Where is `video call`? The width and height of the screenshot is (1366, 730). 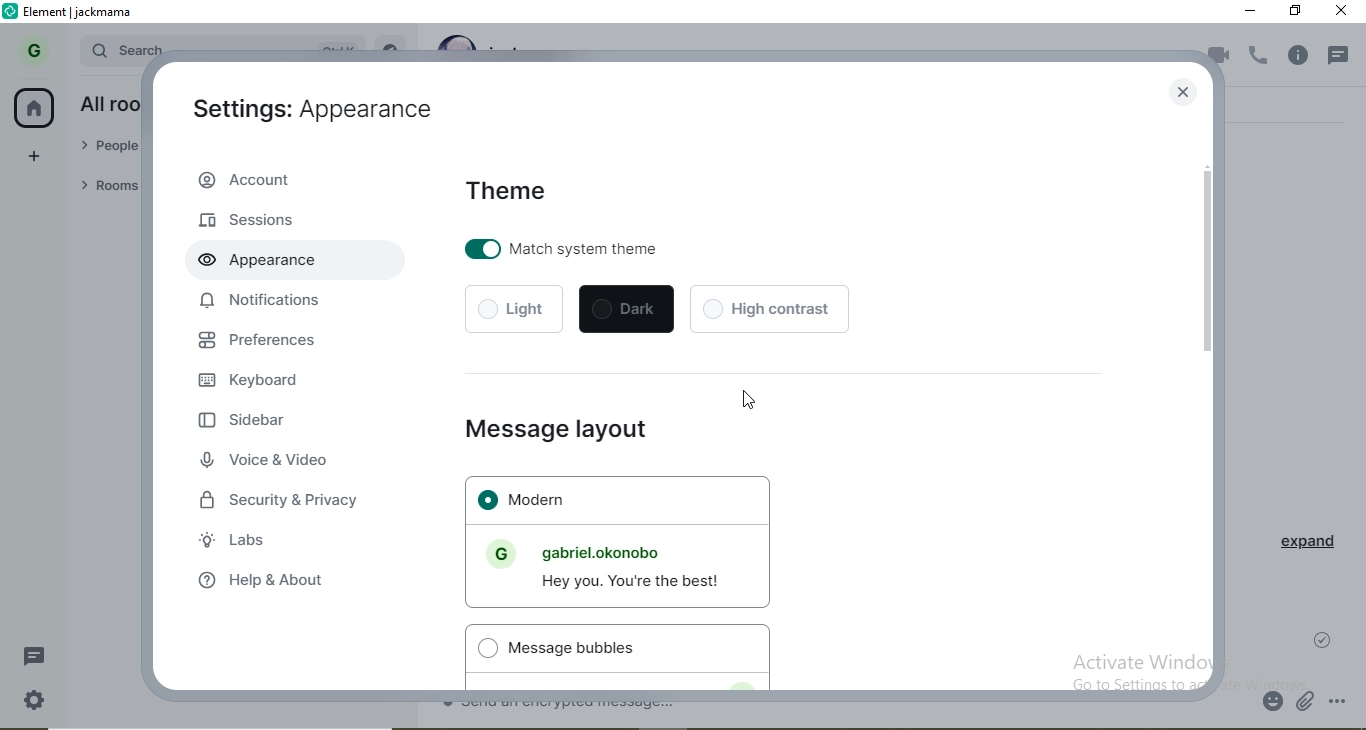 video call is located at coordinates (1217, 58).